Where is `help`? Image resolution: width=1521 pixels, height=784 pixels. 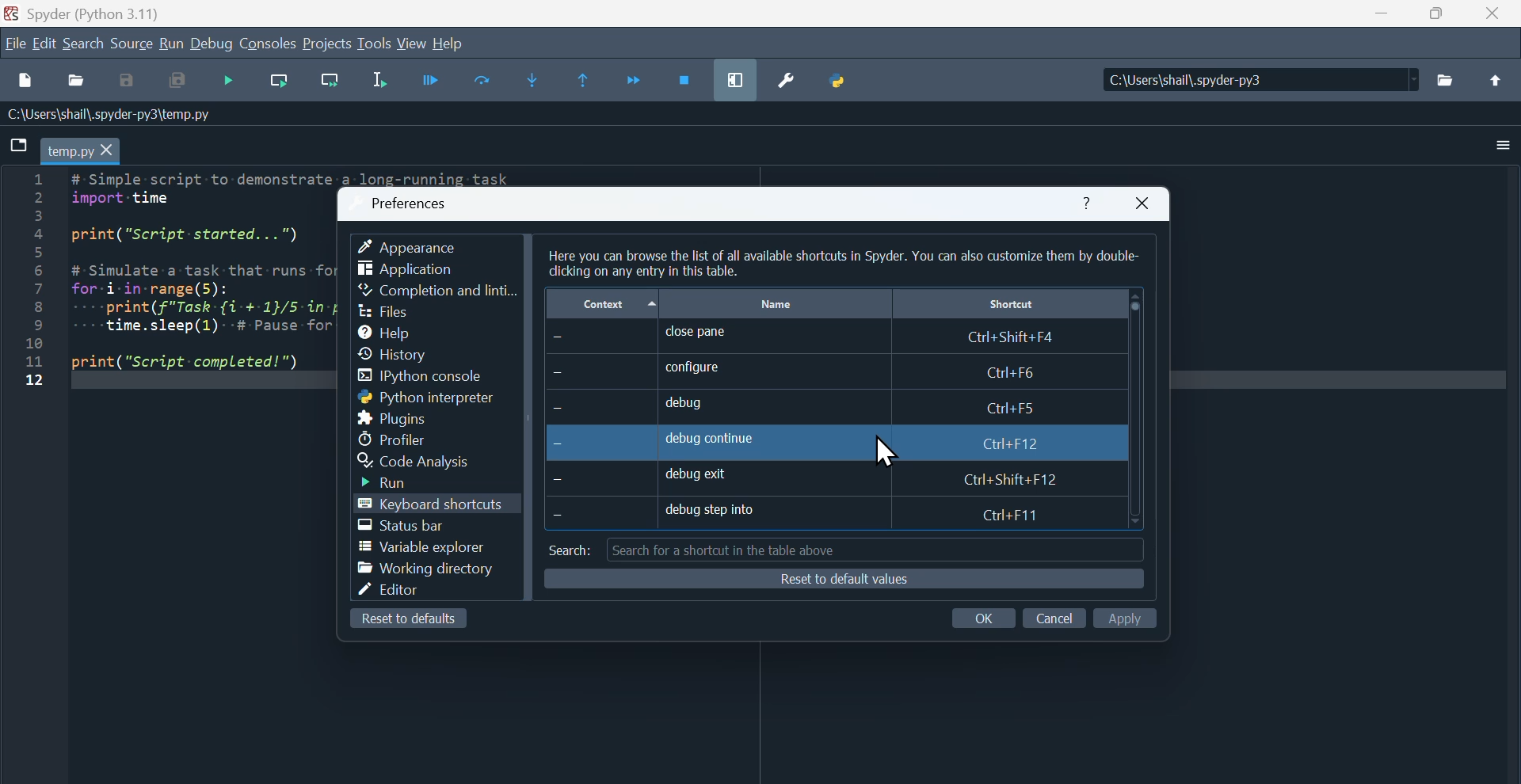 help is located at coordinates (460, 43).